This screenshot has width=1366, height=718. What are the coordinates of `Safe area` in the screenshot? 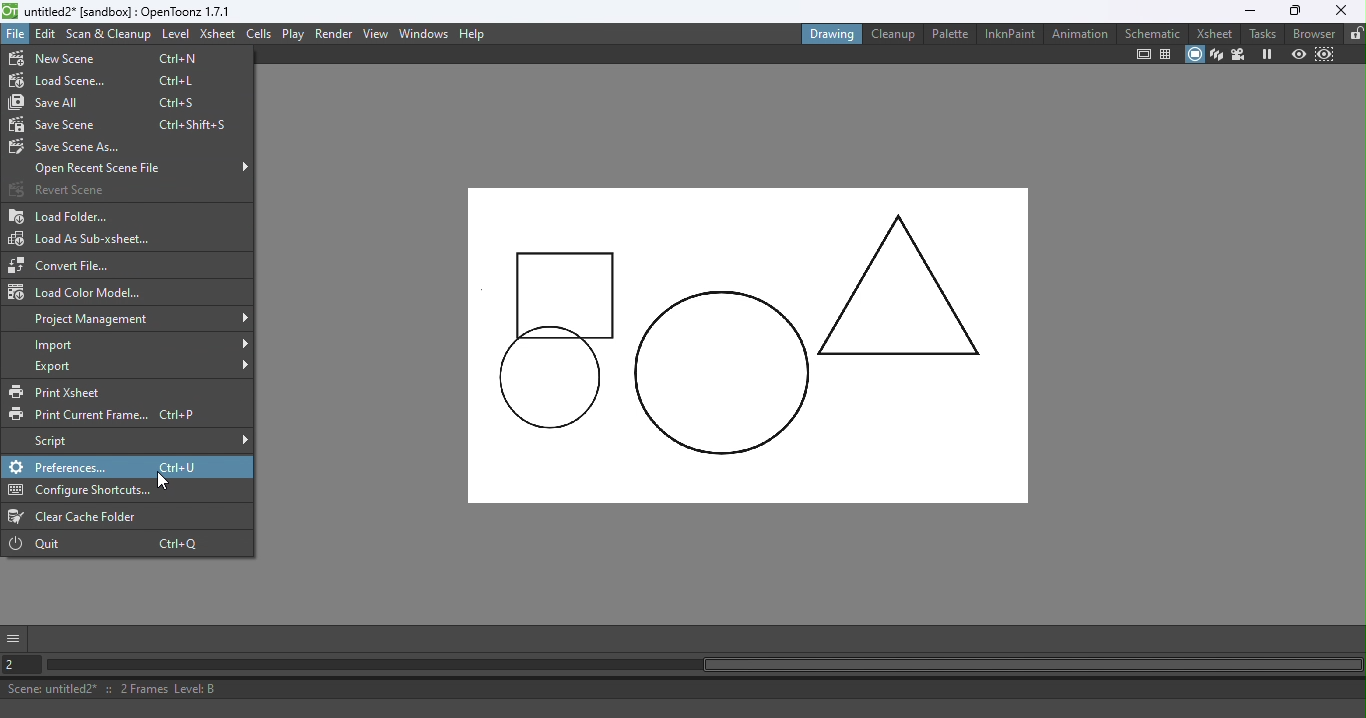 It's located at (1144, 55).